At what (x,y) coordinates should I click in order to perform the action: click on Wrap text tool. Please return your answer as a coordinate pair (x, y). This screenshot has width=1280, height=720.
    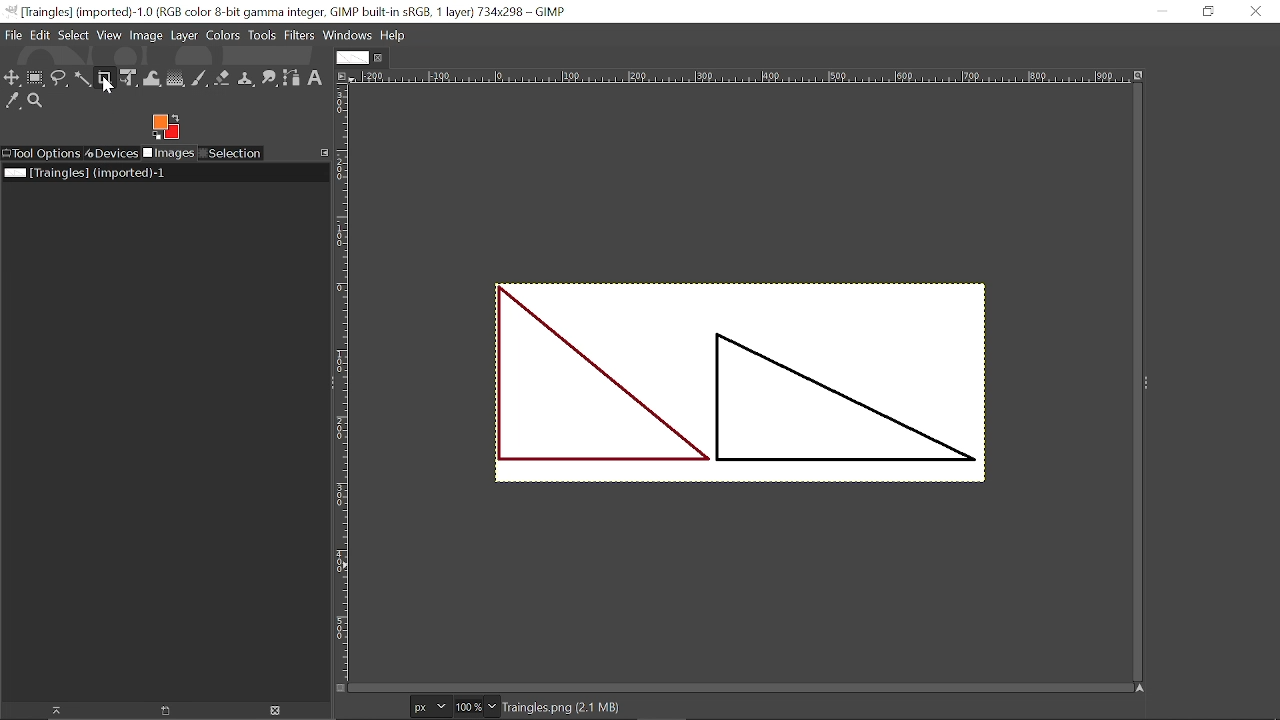
    Looking at the image, I should click on (153, 78).